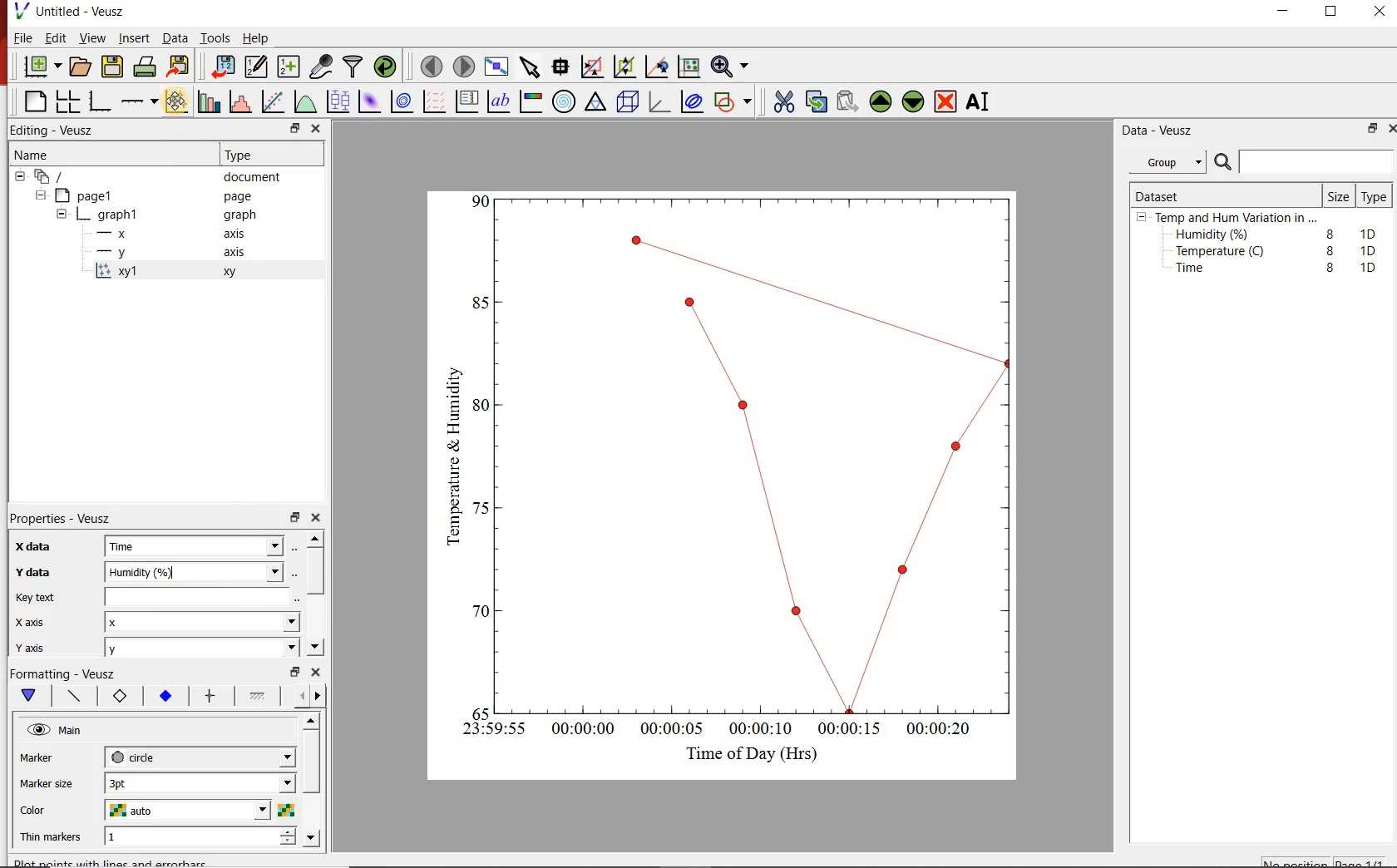 Image resolution: width=1397 pixels, height=868 pixels. Describe the element at coordinates (101, 99) in the screenshot. I see `base graph` at that location.